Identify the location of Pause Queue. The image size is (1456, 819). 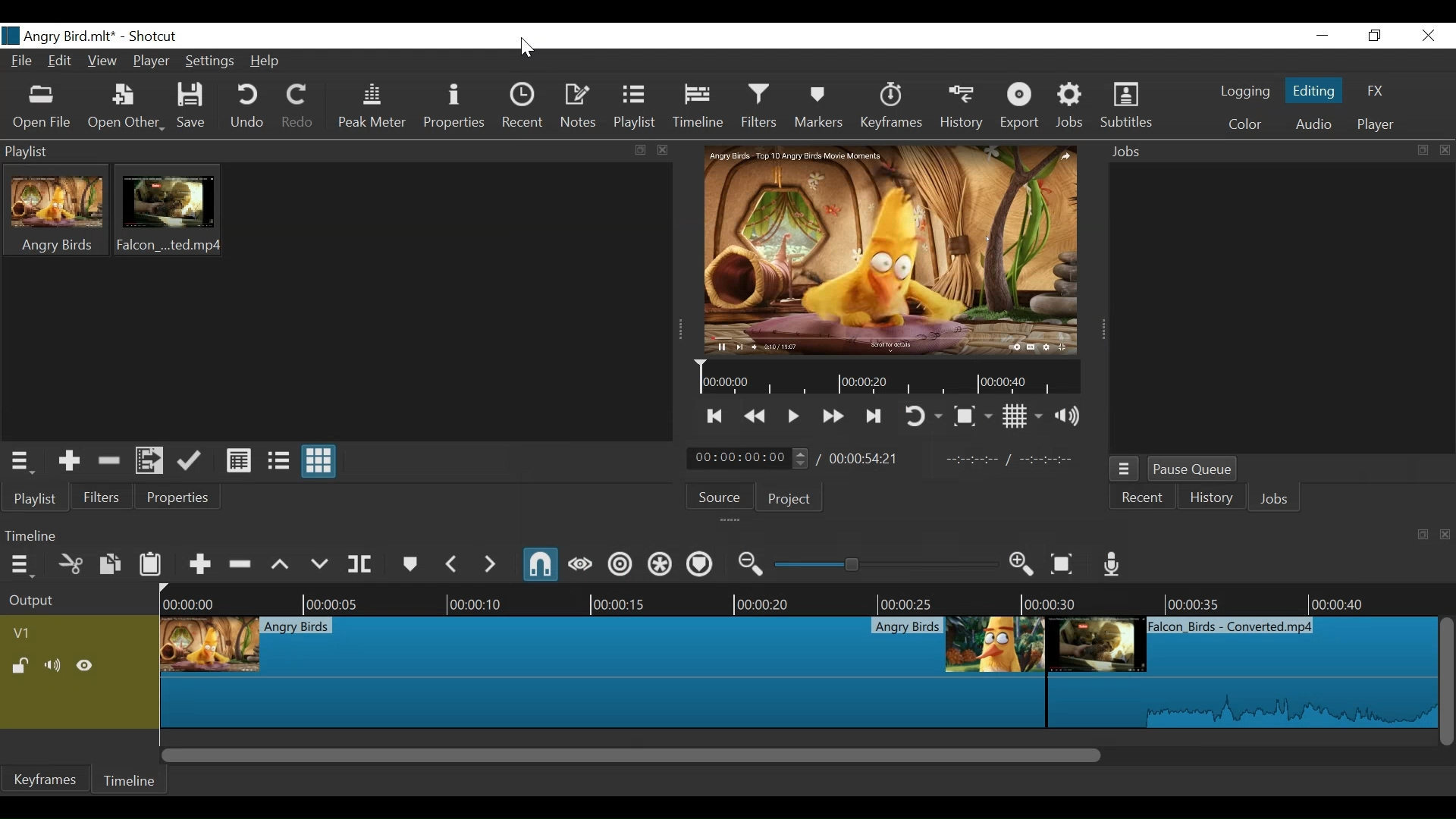
(1195, 469).